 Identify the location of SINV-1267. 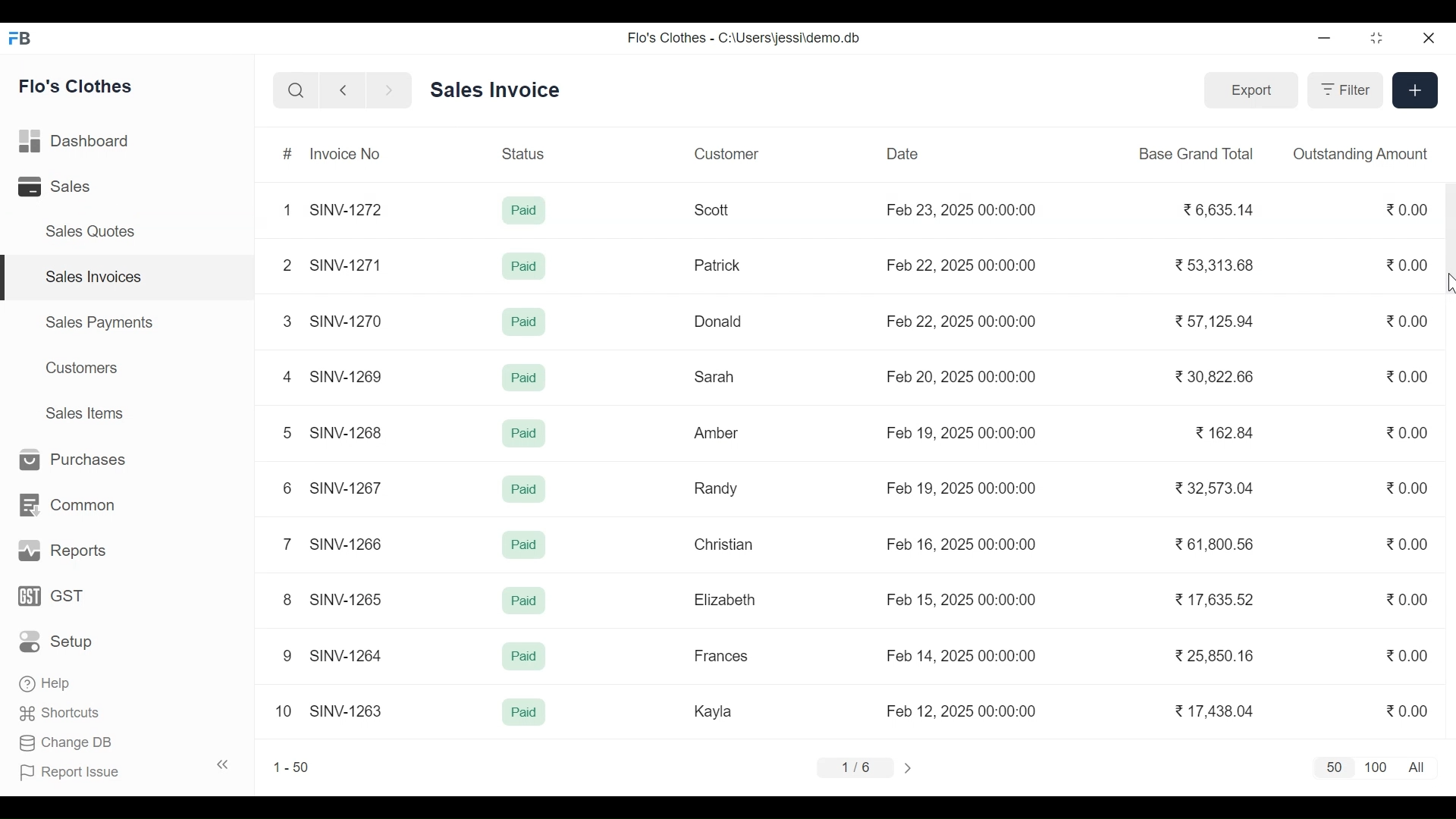
(348, 486).